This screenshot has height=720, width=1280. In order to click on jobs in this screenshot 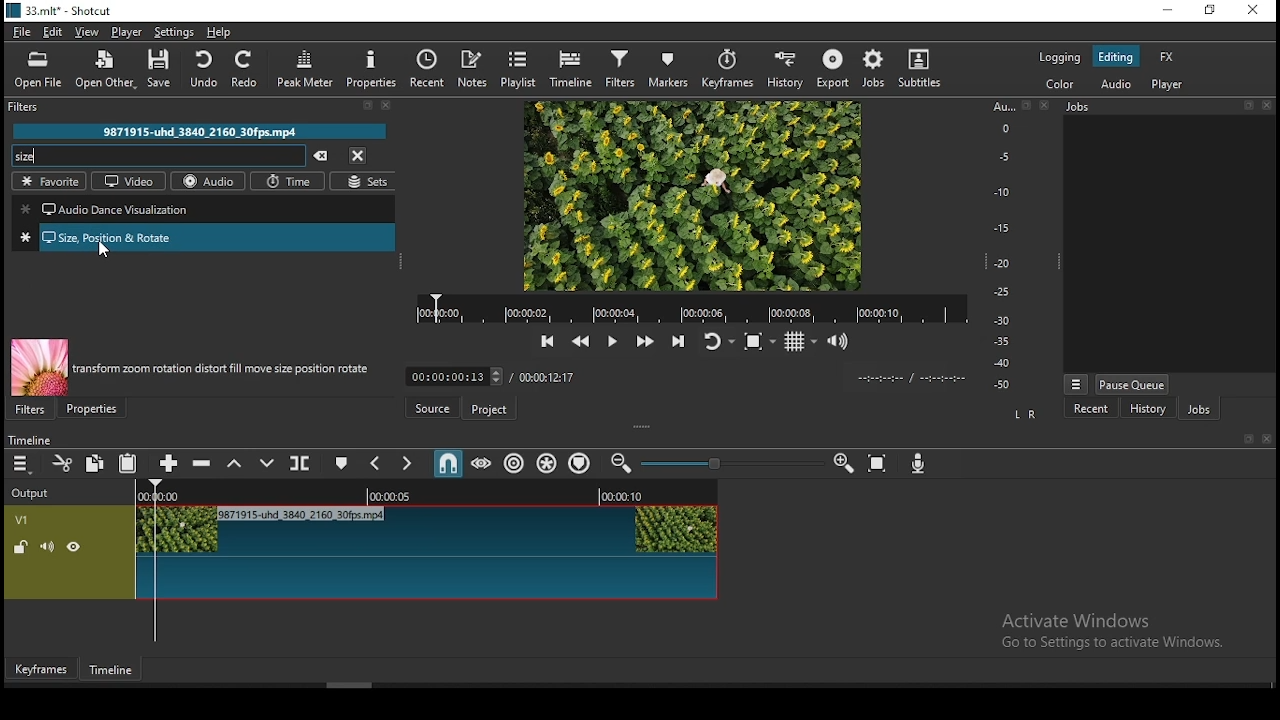, I will do `click(1199, 409)`.